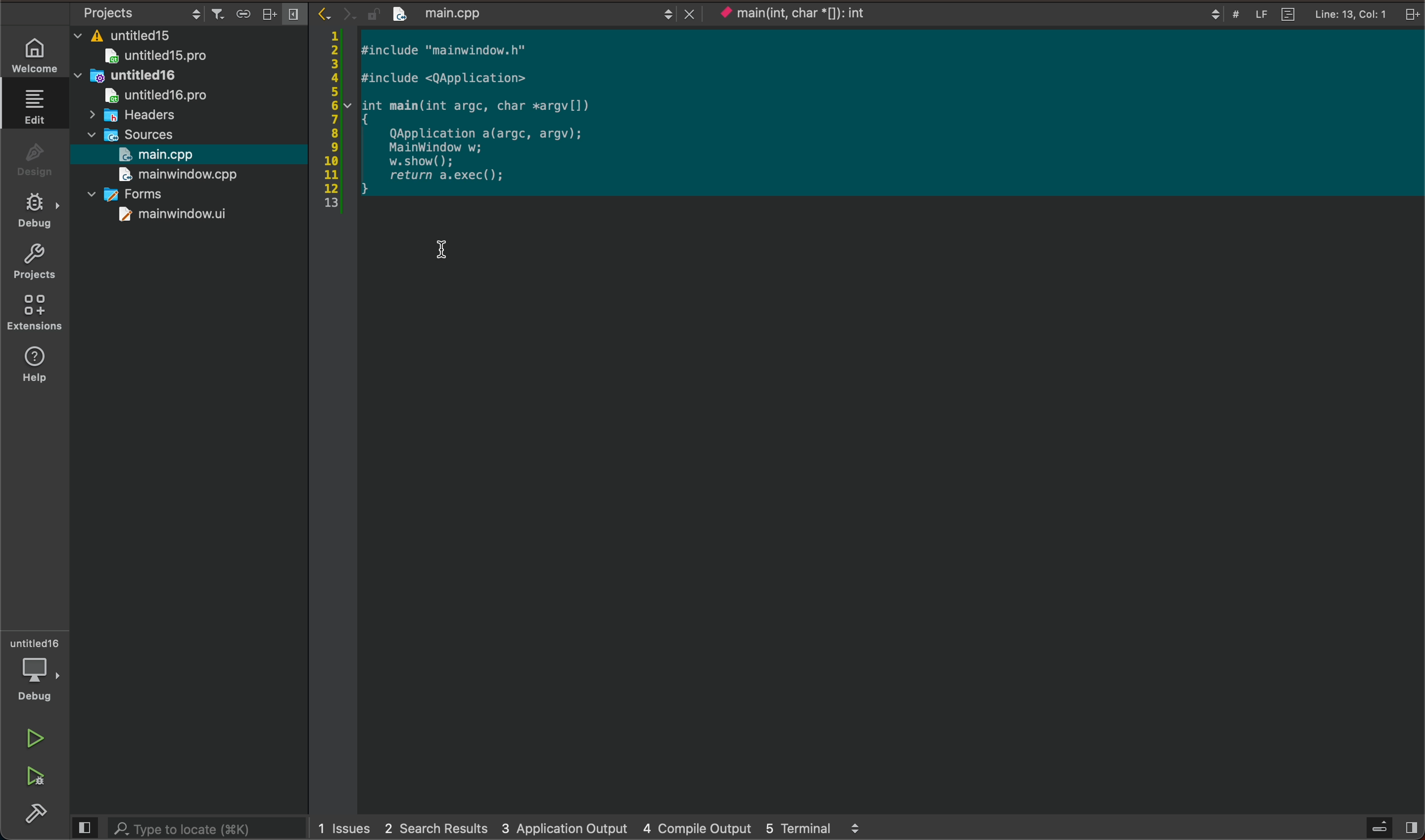  Describe the element at coordinates (40, 265) in the screenshot. I see `projects` at that location.